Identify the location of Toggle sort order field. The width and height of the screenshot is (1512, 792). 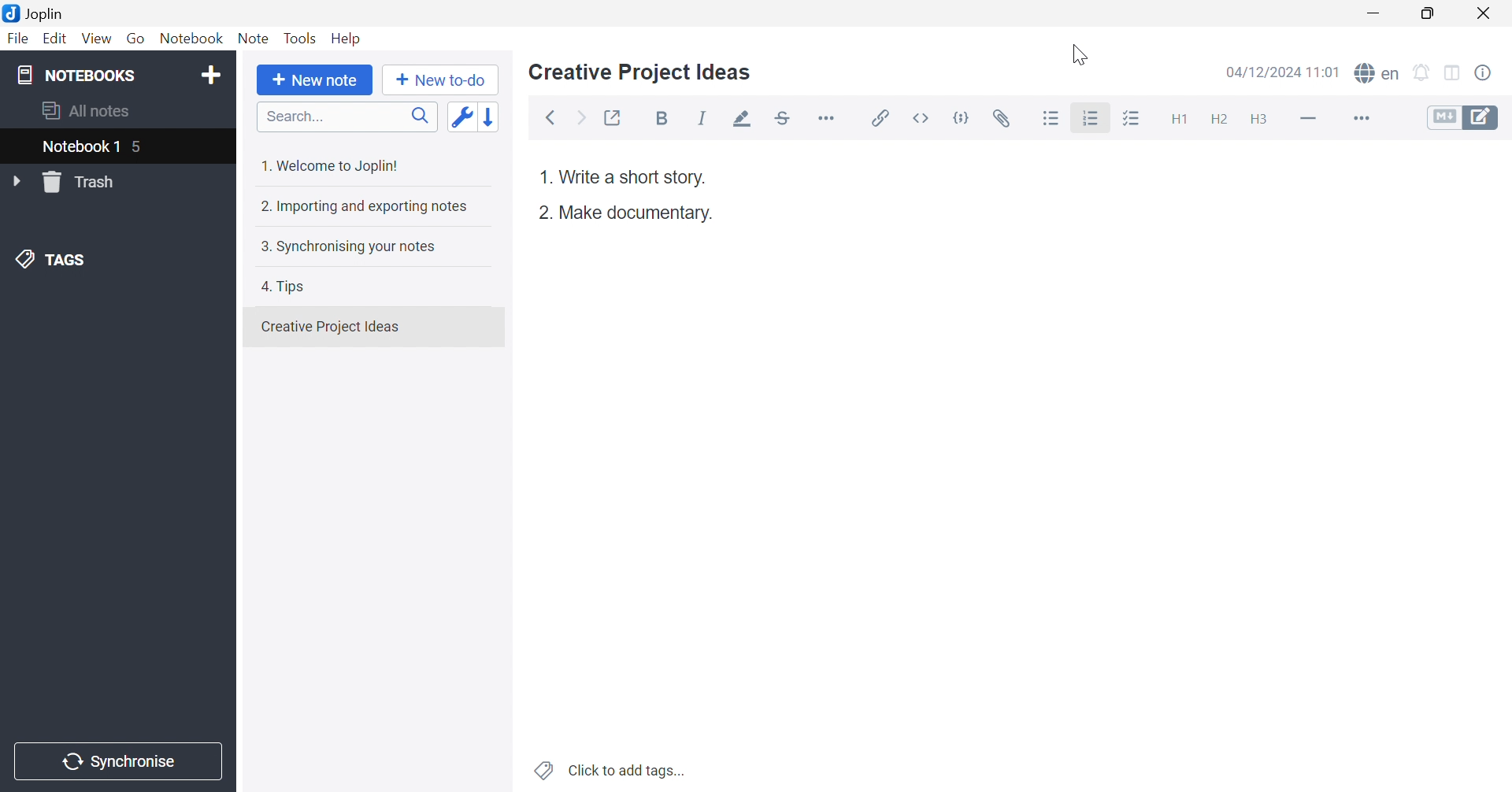
(462, 117).